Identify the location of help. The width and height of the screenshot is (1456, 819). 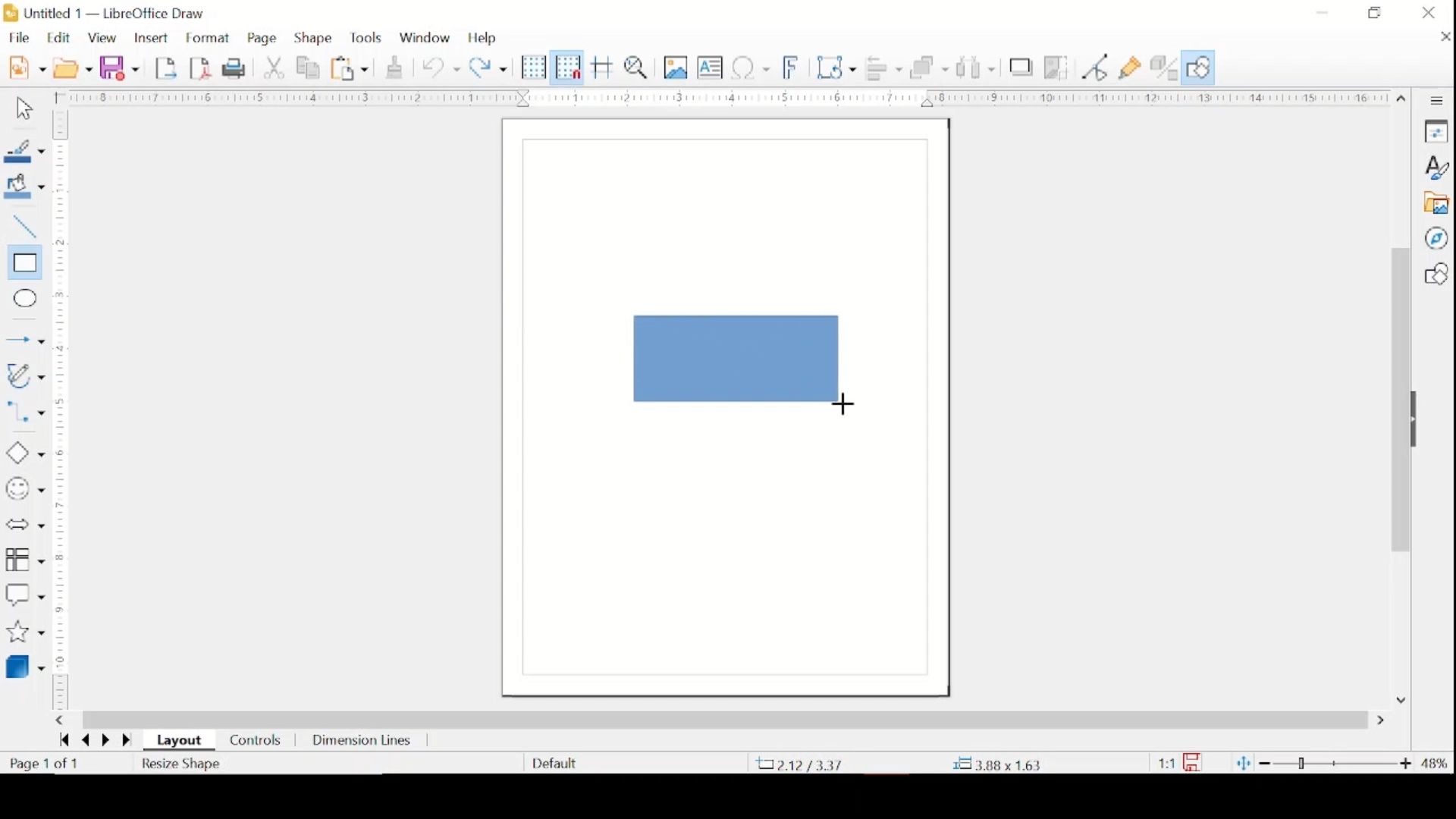
(484, 38).